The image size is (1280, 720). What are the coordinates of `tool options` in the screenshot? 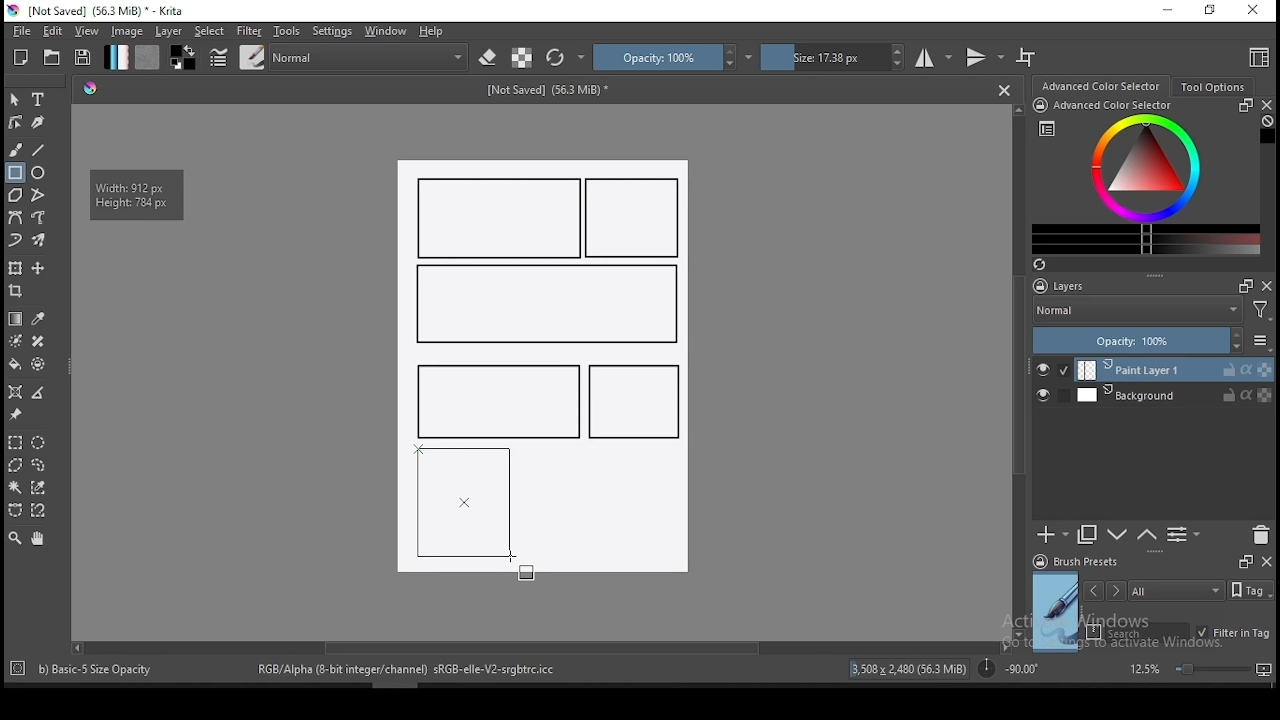 It's located at (1214, 87).